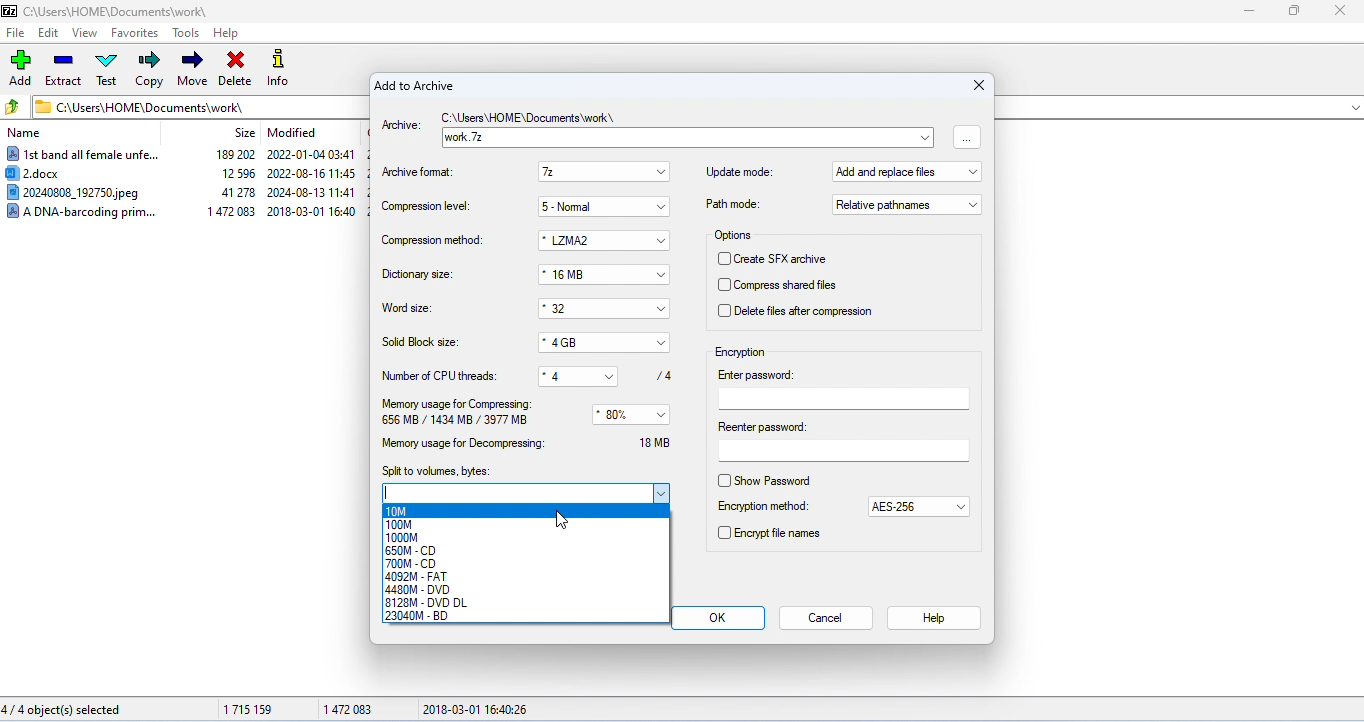 The width and height of the screenshot is (1364, 722). Describe the element at coordinates (400, 511) in the screenshot. I see `10M` at that location.